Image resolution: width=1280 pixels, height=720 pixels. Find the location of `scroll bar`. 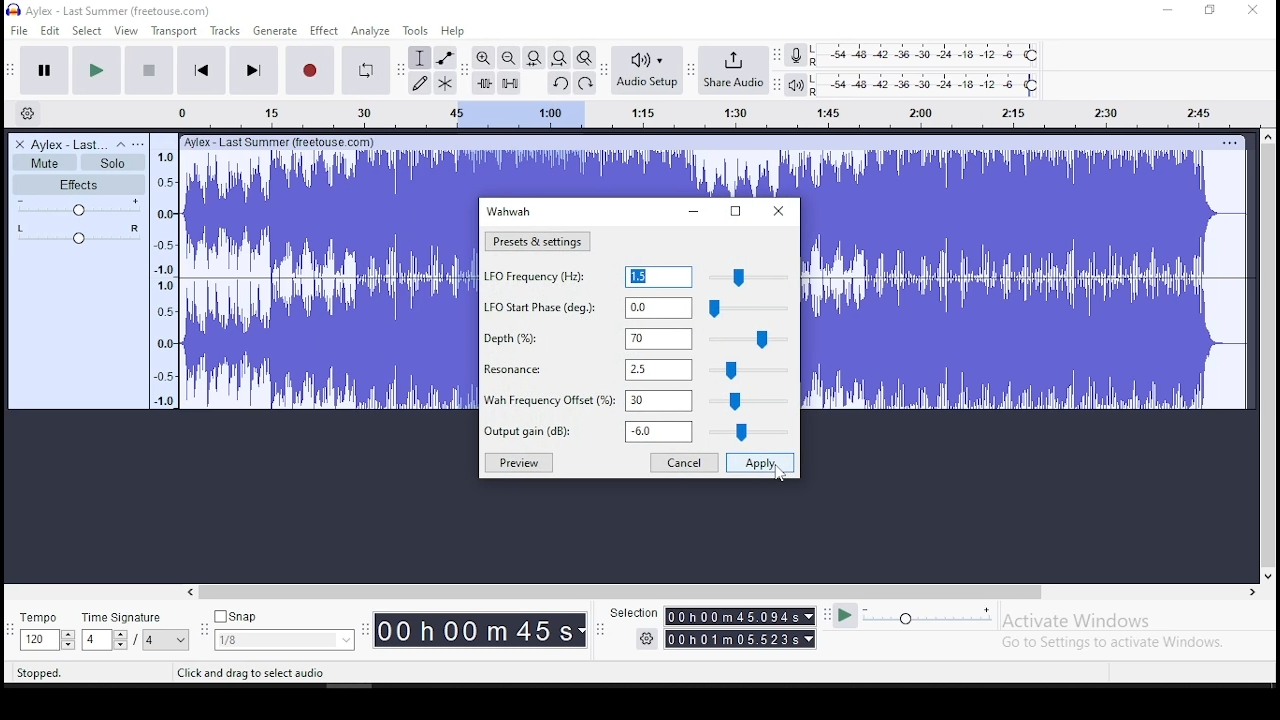

scroll bar is located at coordinates (1268, 356).